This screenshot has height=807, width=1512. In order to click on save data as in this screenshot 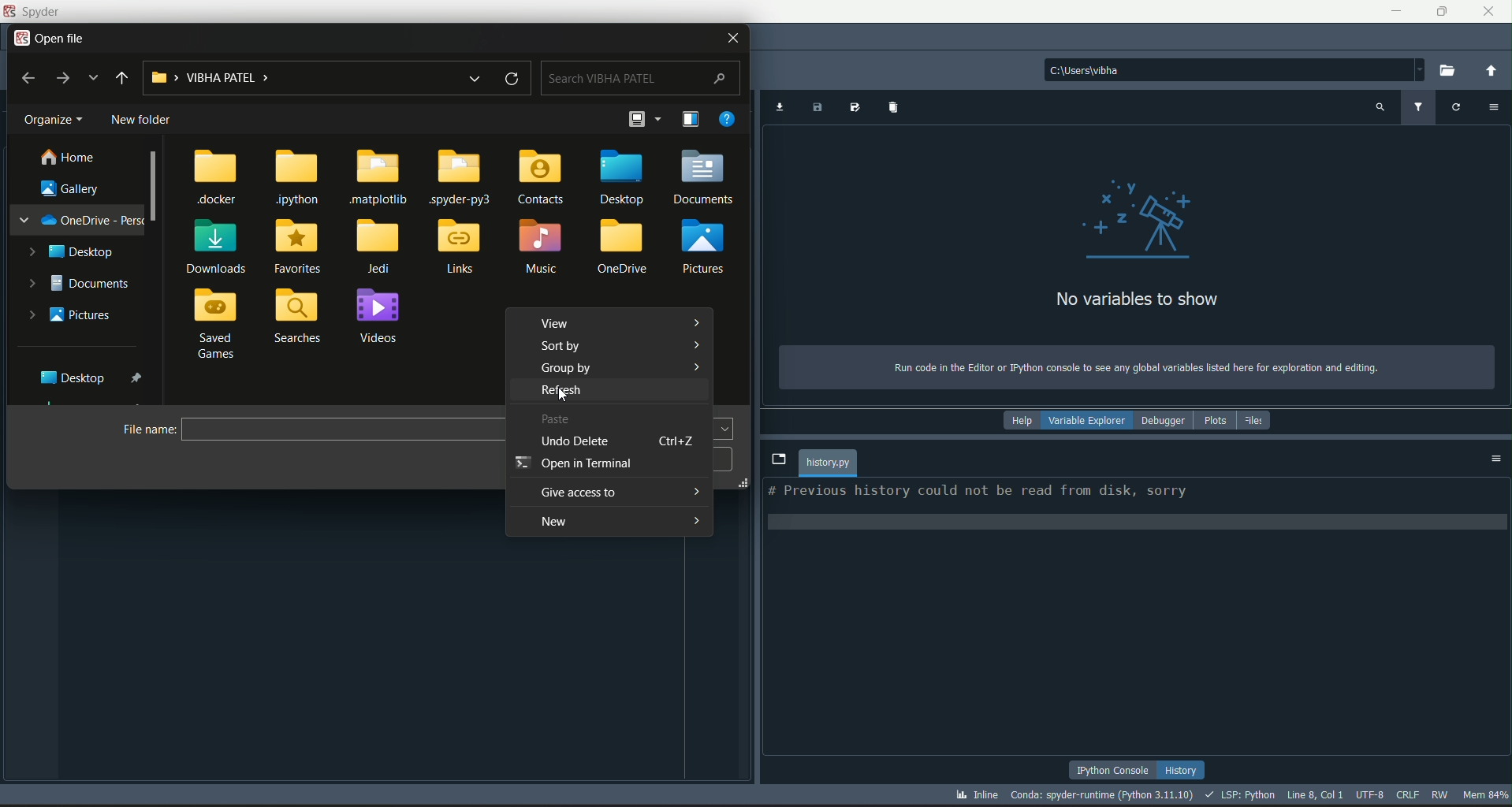, I will do `click(855, 107)`.